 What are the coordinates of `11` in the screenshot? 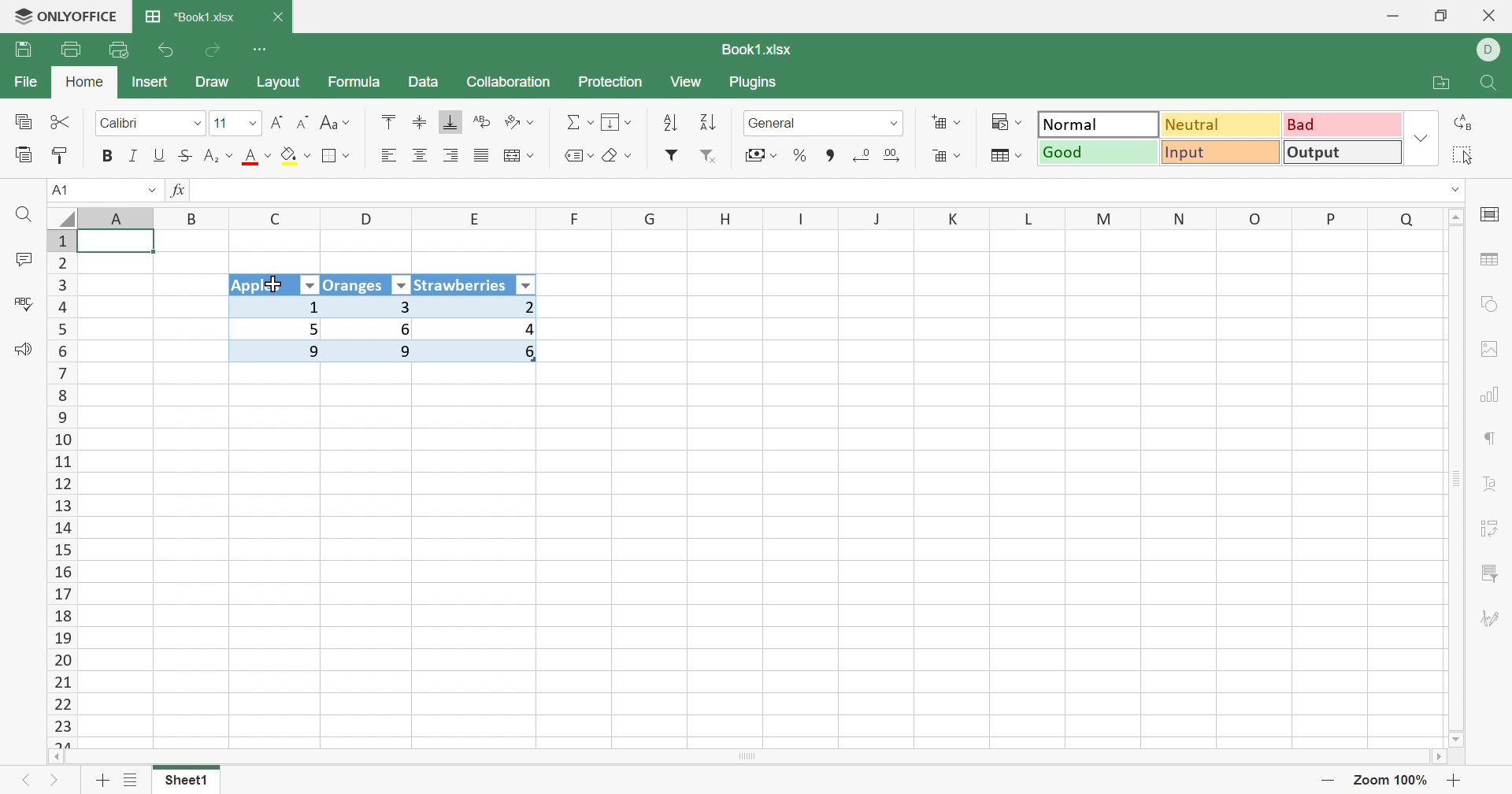 It's located at (220, 123).